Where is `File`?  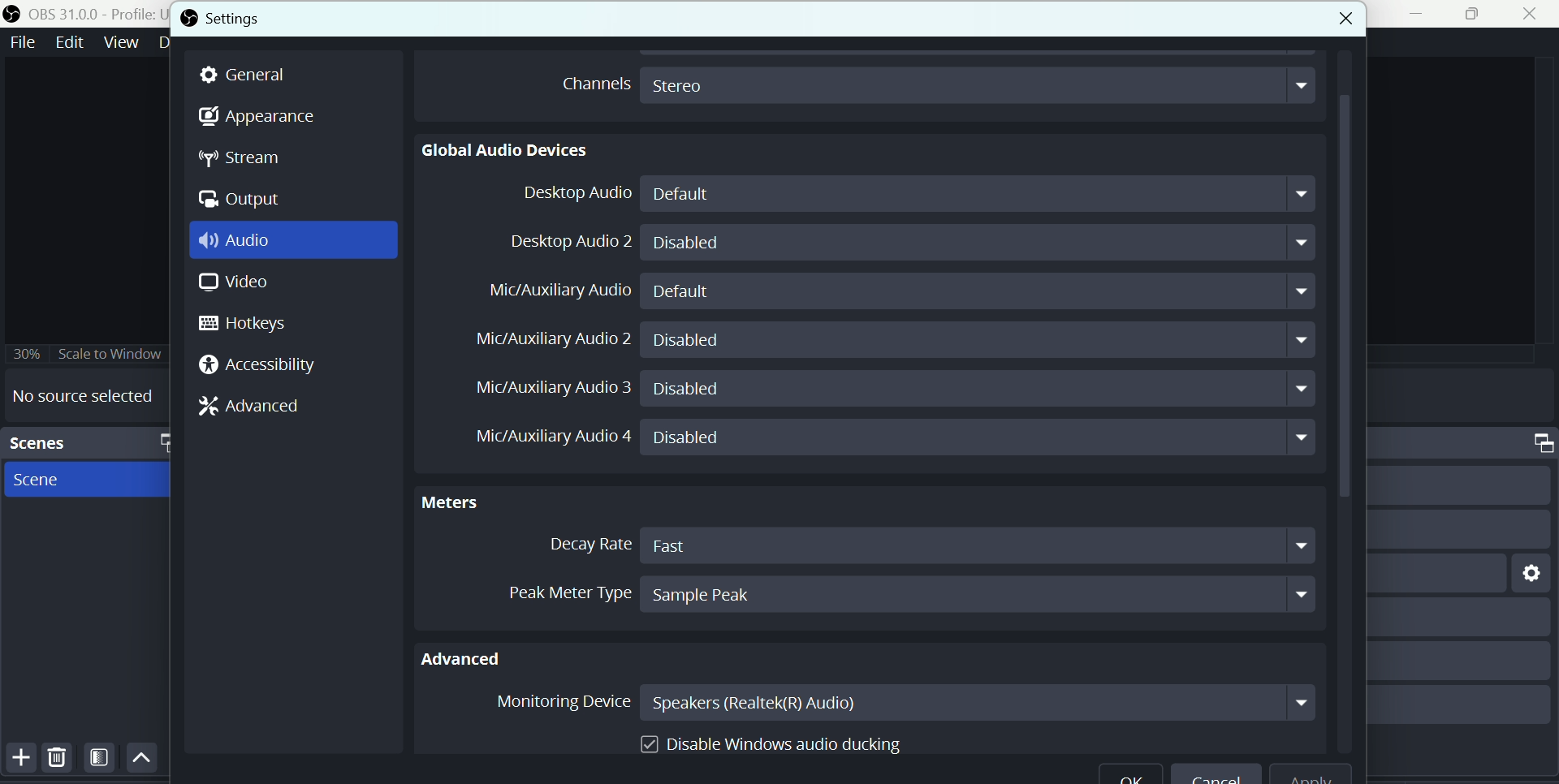
File is located at coordinates (22, 41).